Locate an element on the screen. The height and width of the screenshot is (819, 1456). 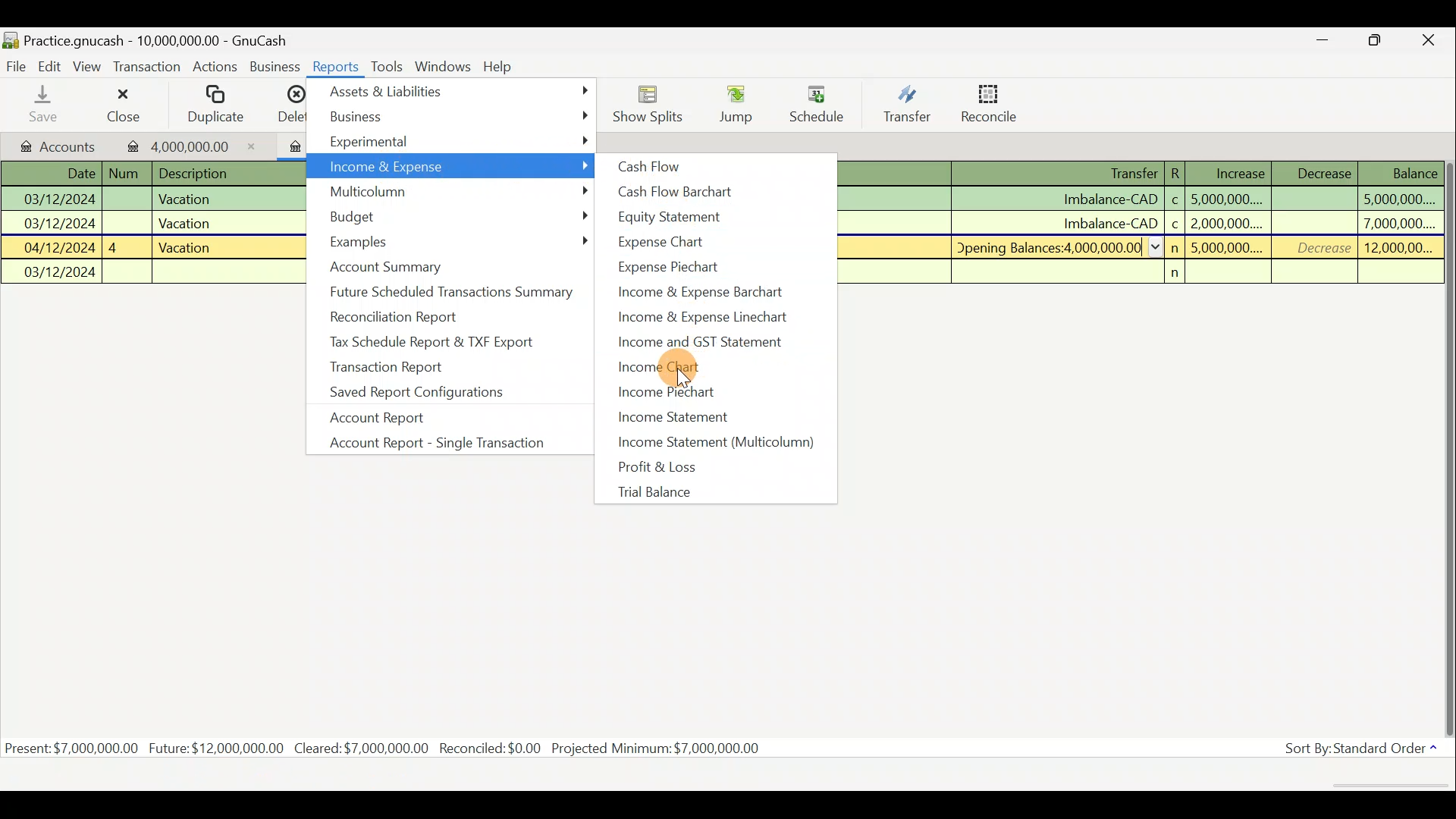
Delete is located at coordinates (290, 103).